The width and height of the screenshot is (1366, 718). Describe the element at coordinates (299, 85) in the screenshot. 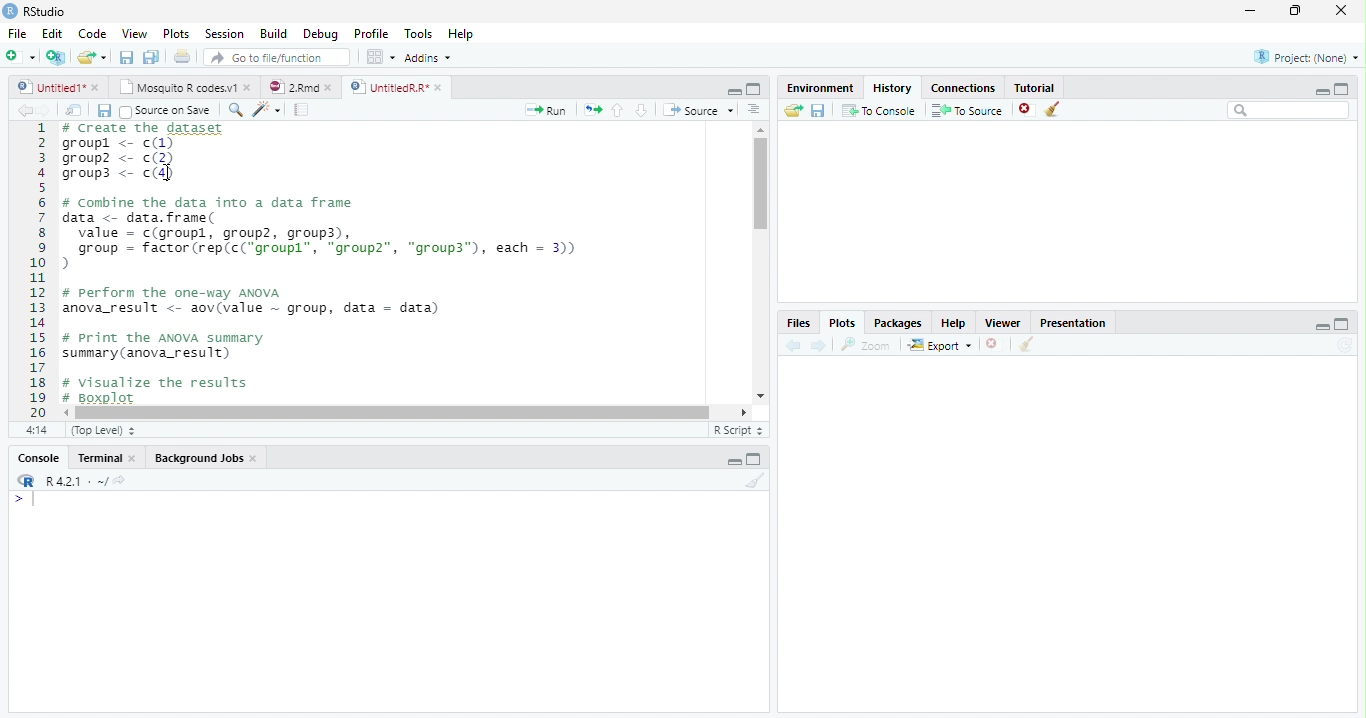

I see `2Rmd` at that location.